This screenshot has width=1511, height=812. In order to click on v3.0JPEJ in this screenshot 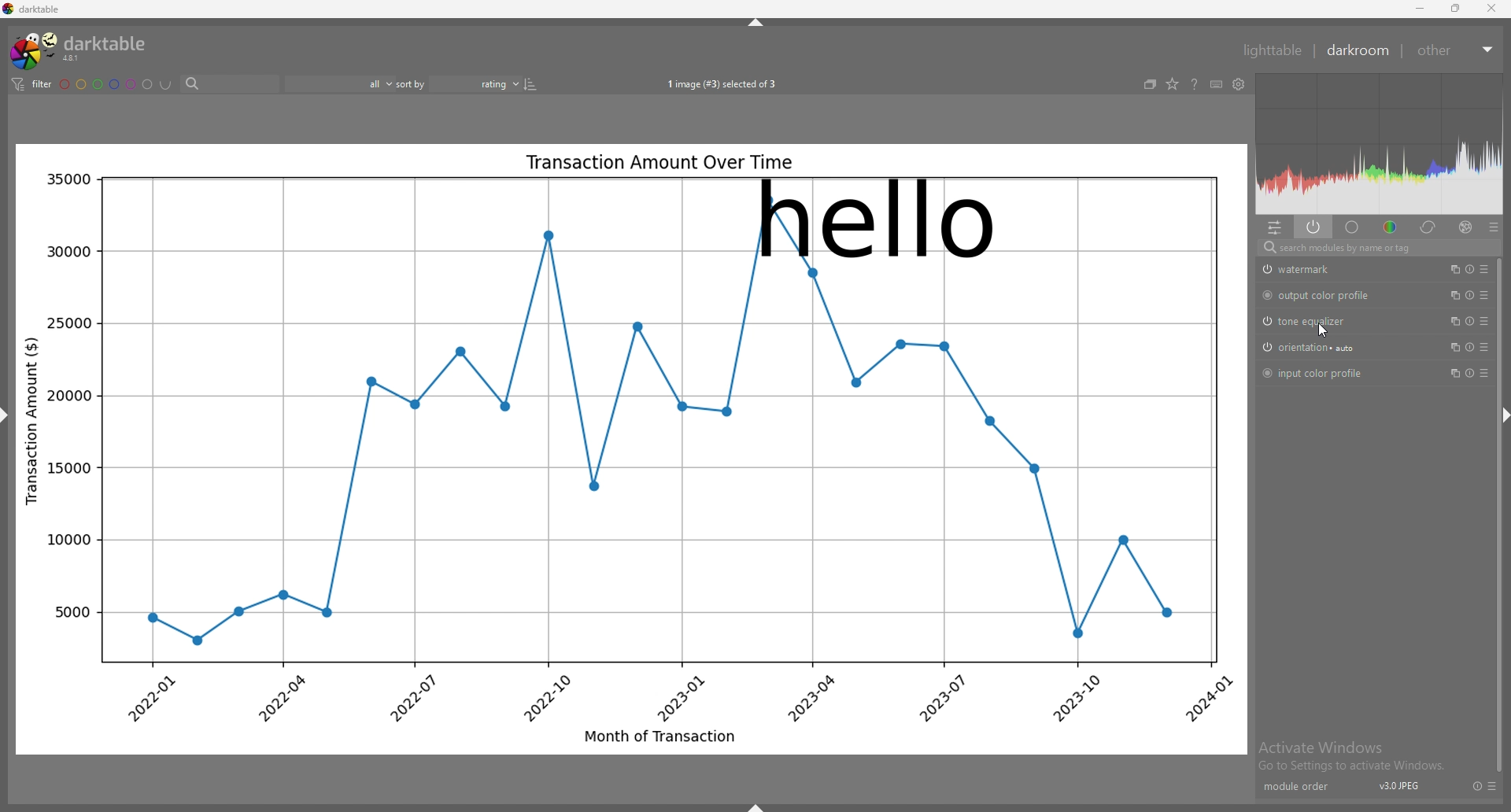, I will do `click(1396, 786)`.